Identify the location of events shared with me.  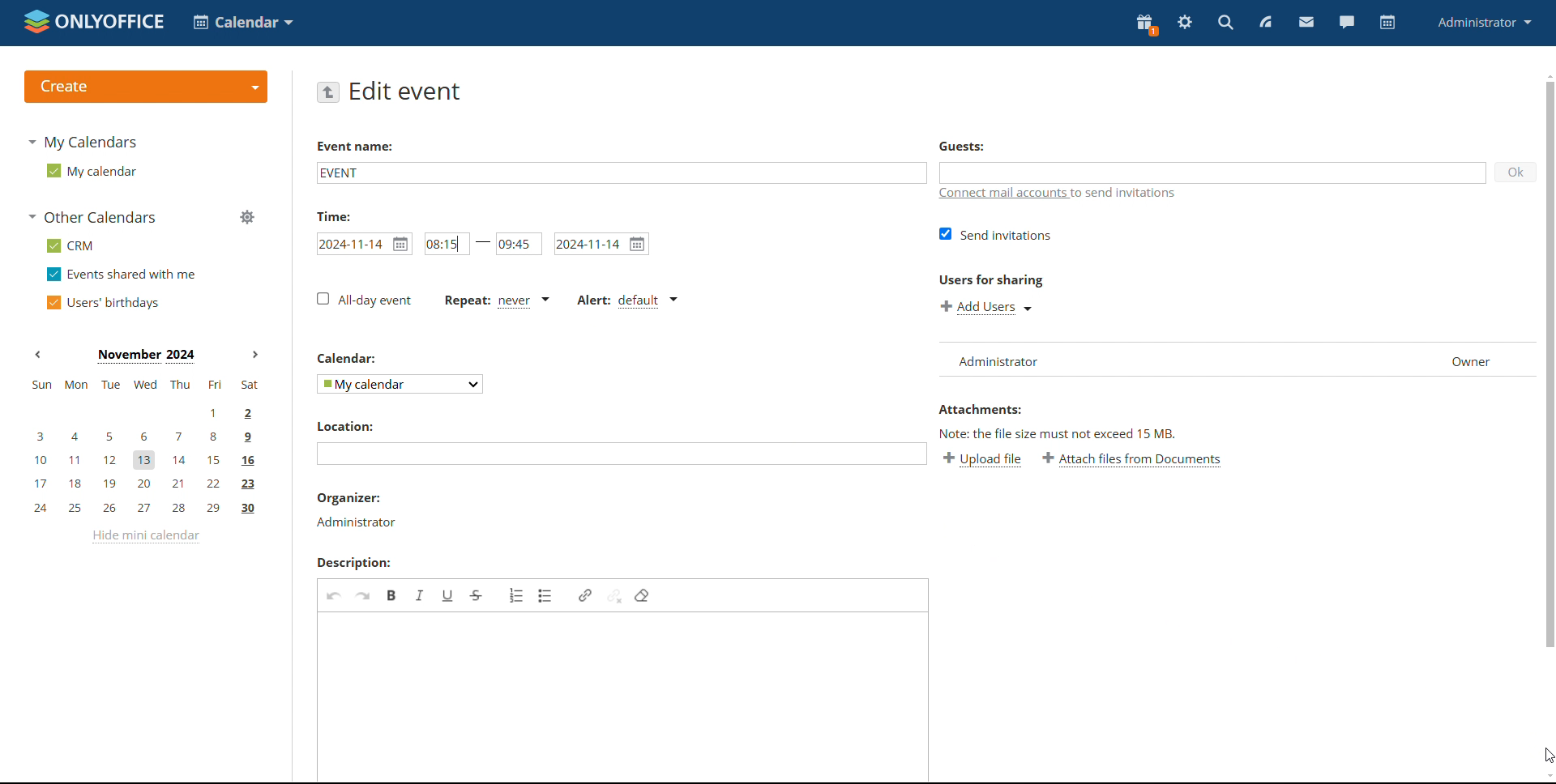
(123, 275).